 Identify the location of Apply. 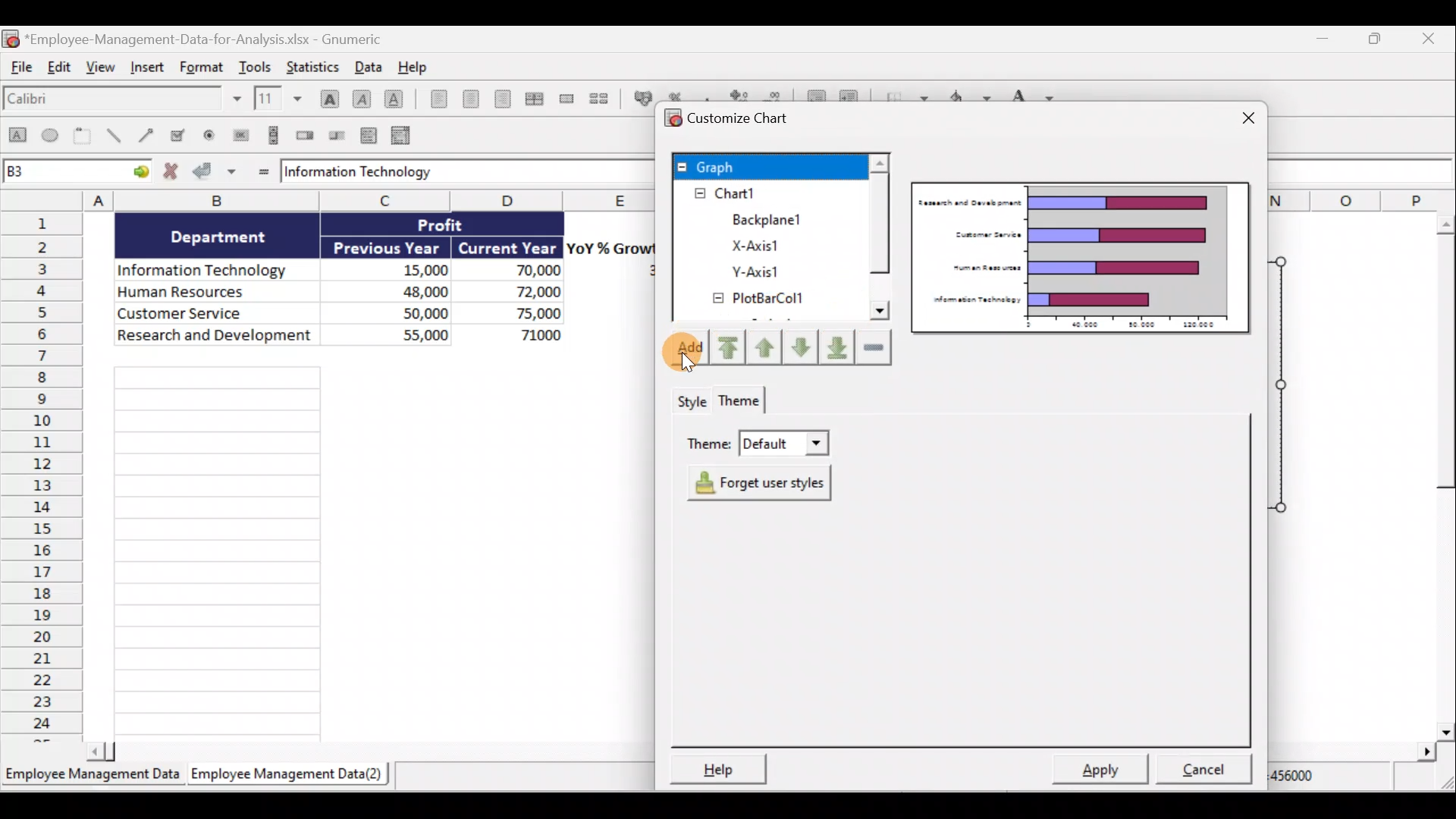
(1106, 769).